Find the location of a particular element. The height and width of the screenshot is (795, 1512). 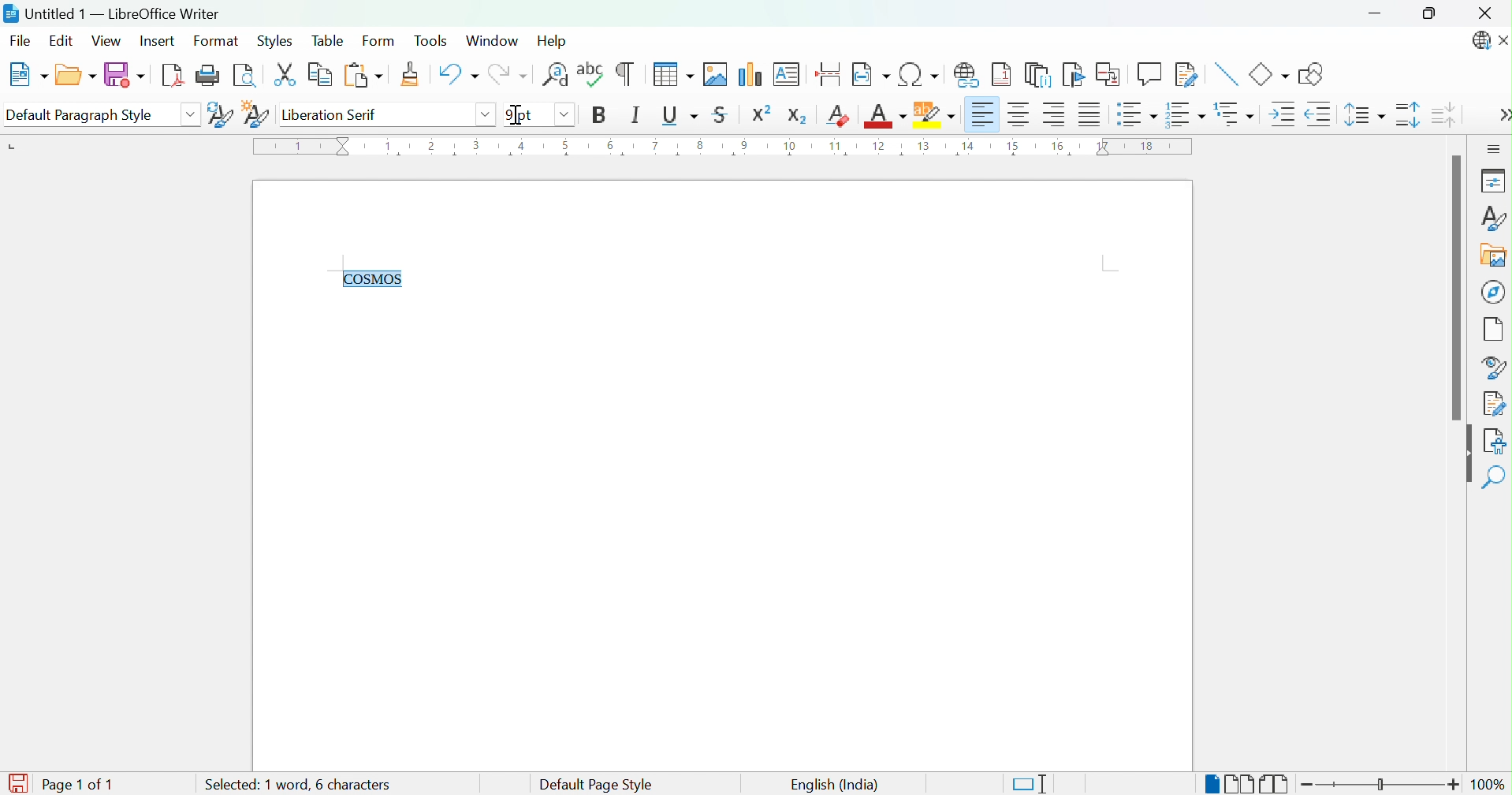

Scroll Bar is located at coordinates (1454, 287).